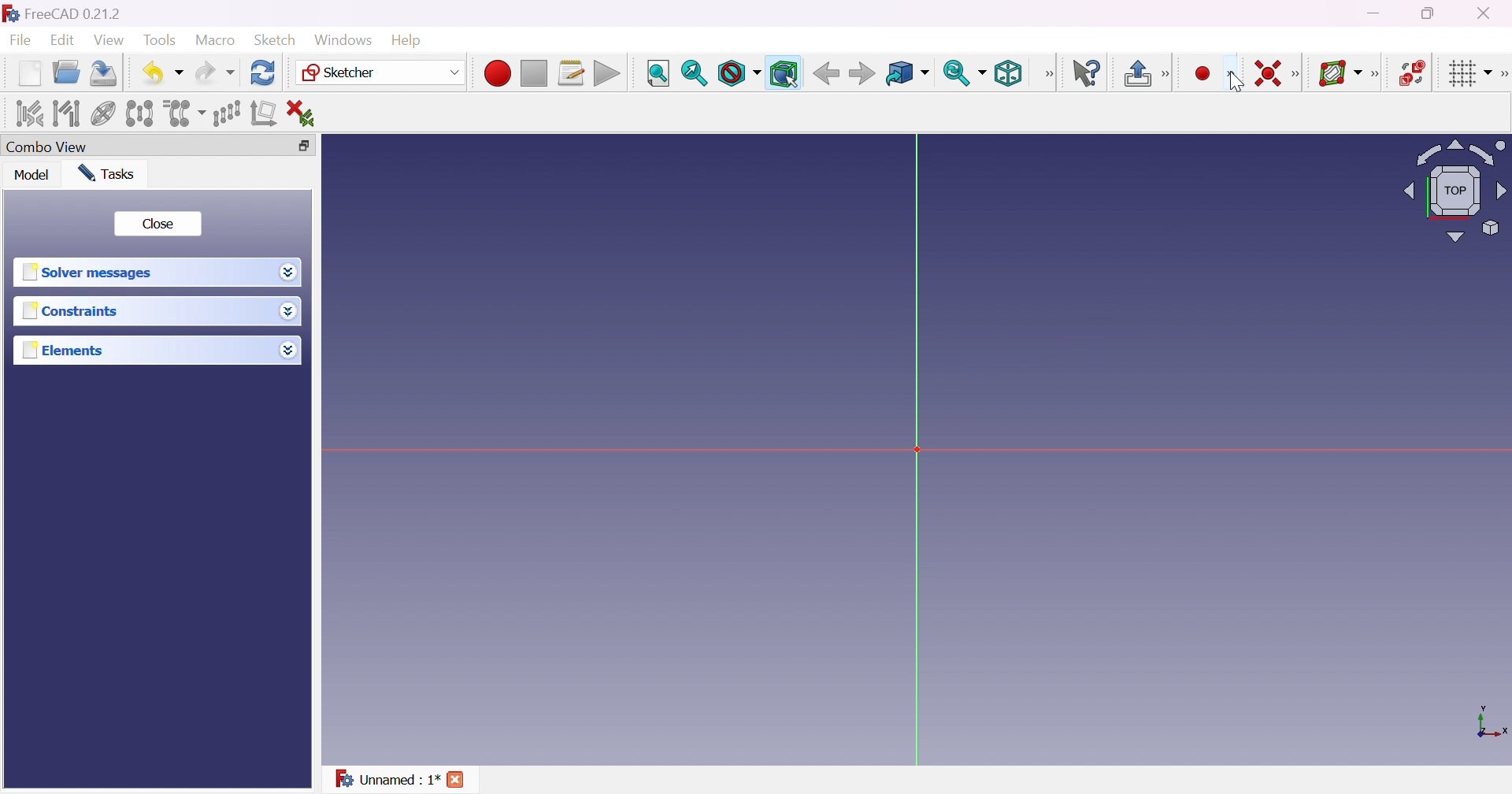  I want to click on Viewing angle, so click(1455, 190).